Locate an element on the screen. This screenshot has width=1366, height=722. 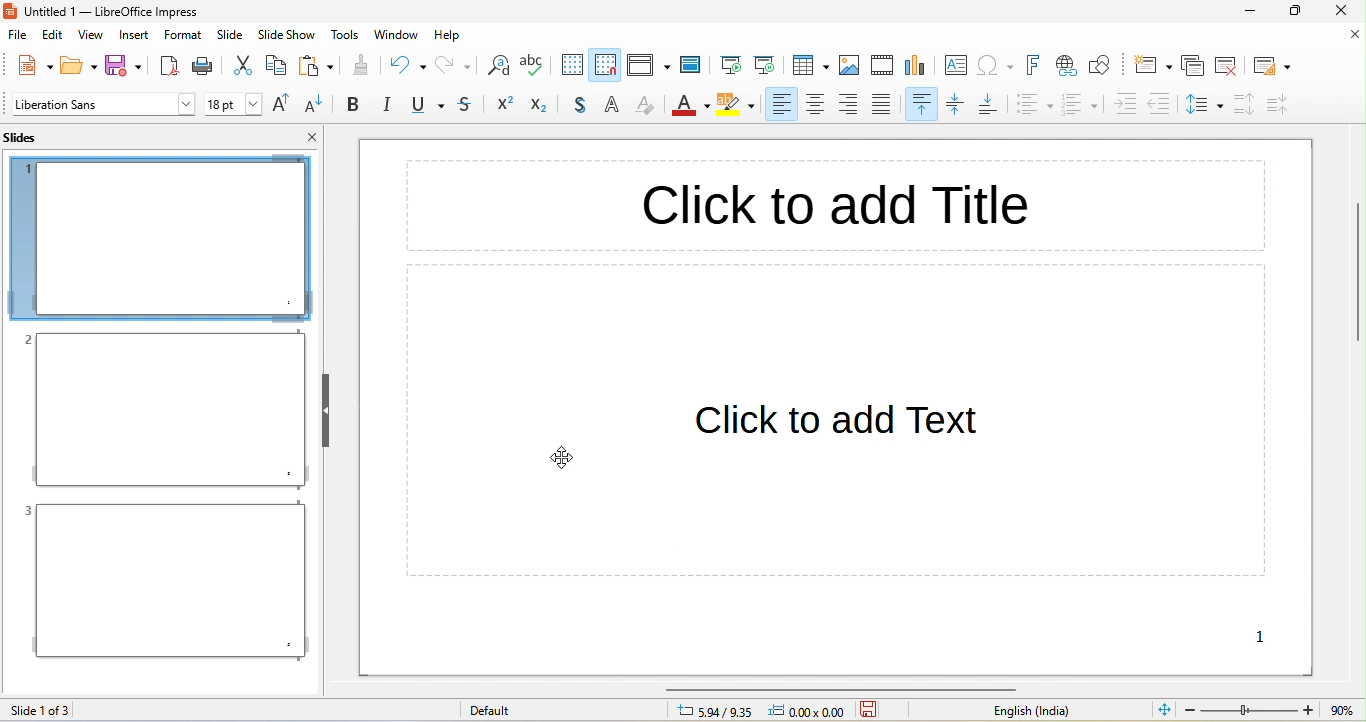
click to add text is located at coordinates (837, 421).